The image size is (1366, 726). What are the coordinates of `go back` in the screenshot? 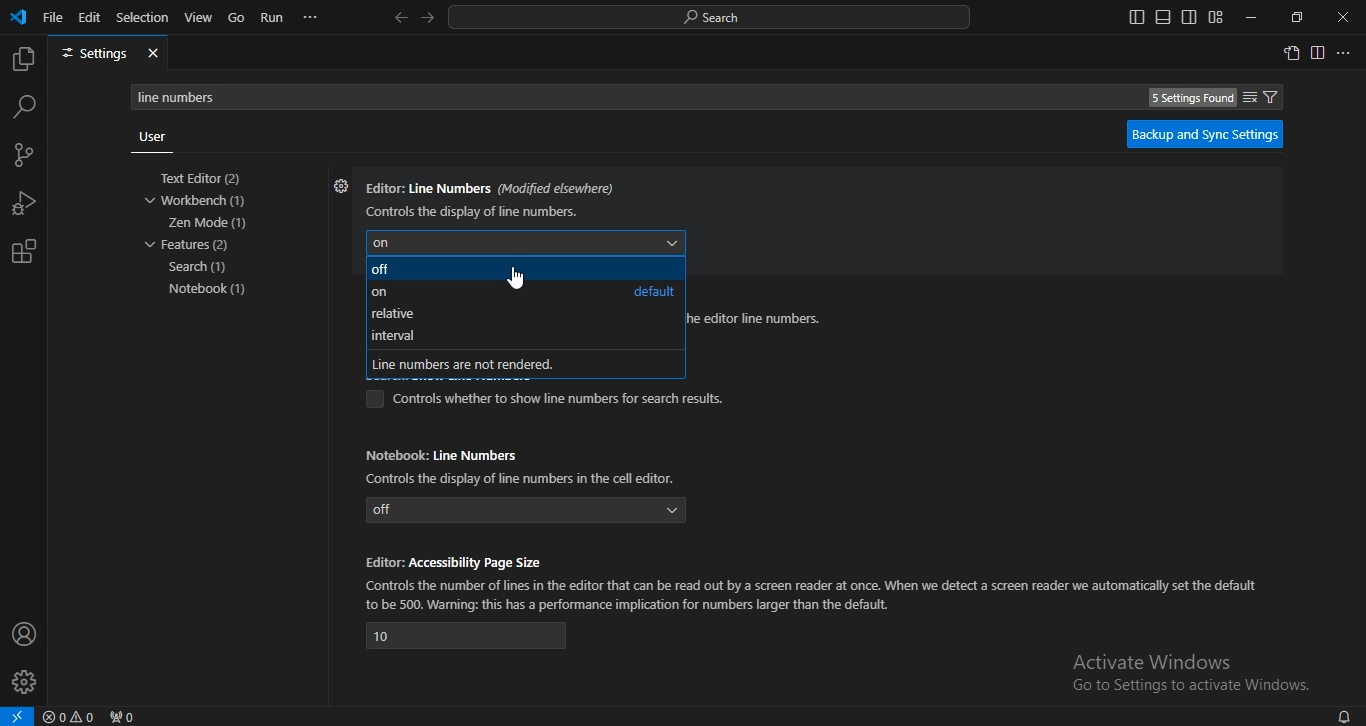 It's located at (400, 18).